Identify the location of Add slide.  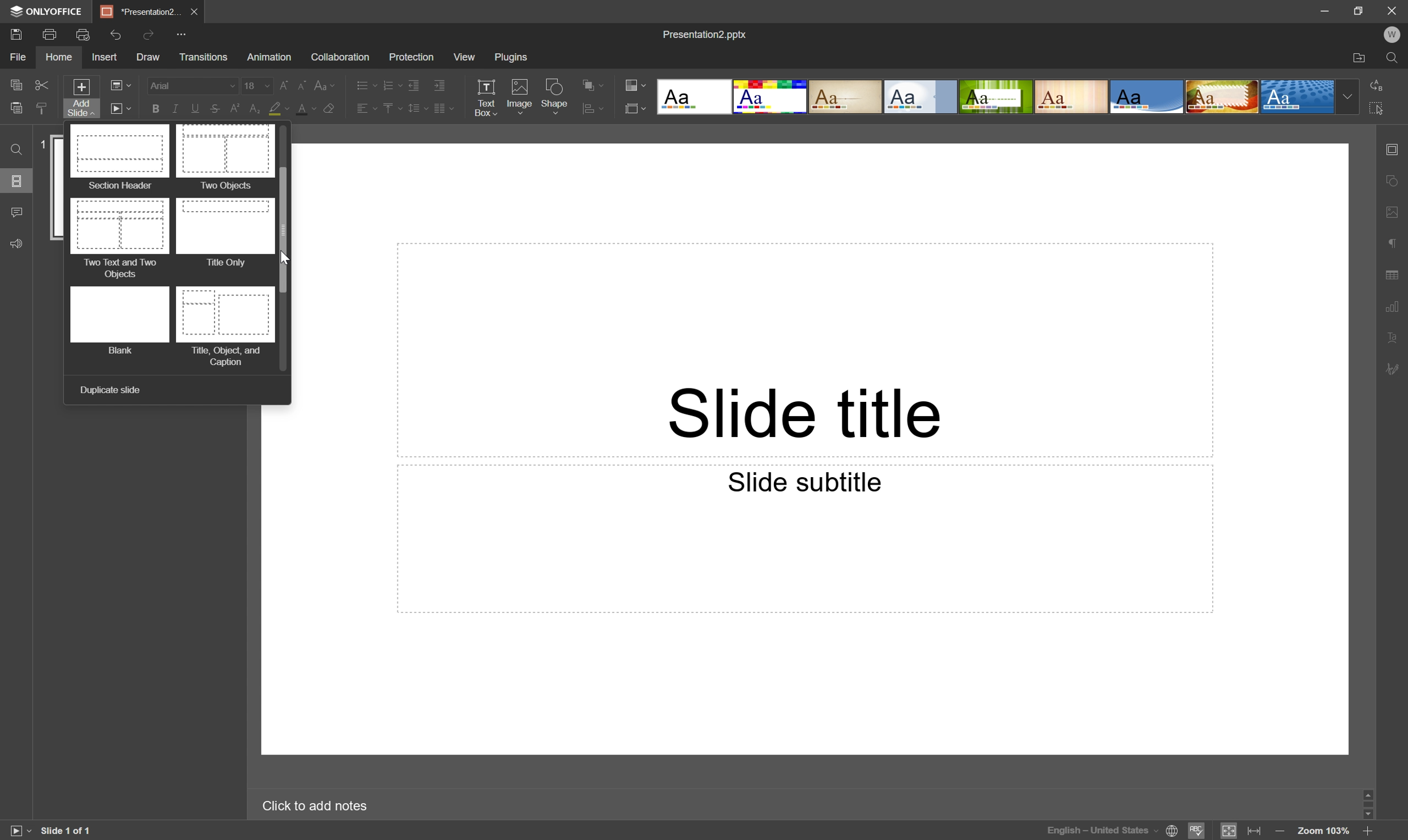
(79, 97).